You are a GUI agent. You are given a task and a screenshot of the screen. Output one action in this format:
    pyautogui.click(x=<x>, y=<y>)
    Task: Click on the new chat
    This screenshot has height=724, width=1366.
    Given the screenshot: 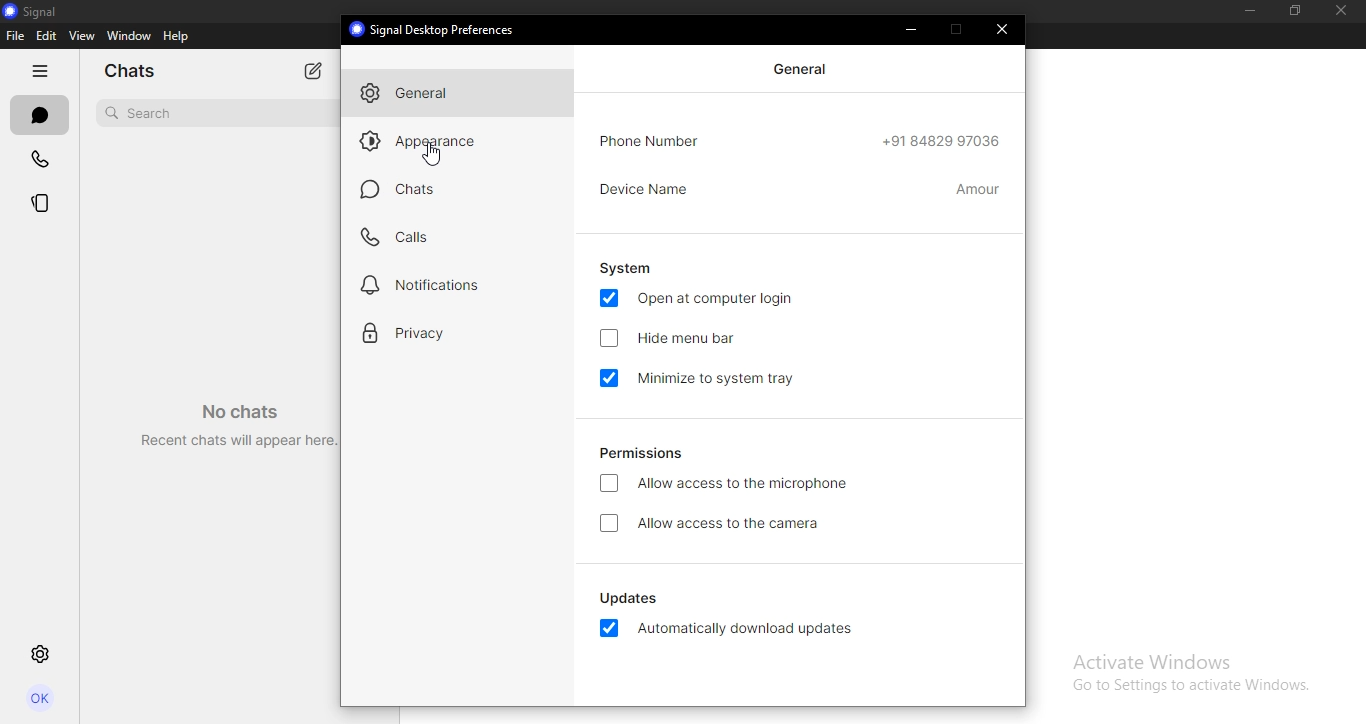 What is the action you would take?
    pyautogui.click(x=314, y=69)
    